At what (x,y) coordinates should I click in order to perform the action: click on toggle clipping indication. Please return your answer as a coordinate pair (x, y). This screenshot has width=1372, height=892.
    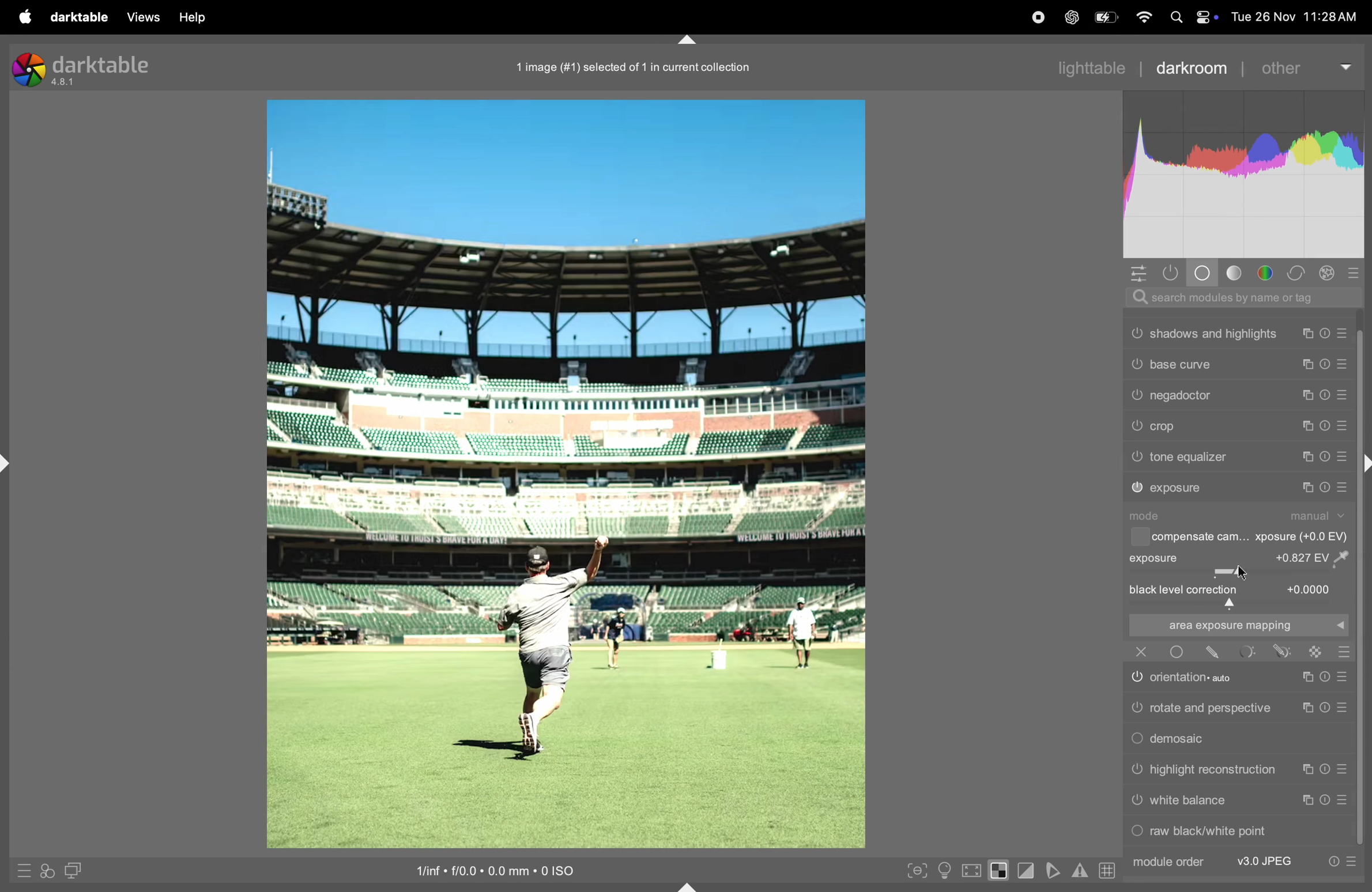
    Looking at the image, I should click on (1028, 871).